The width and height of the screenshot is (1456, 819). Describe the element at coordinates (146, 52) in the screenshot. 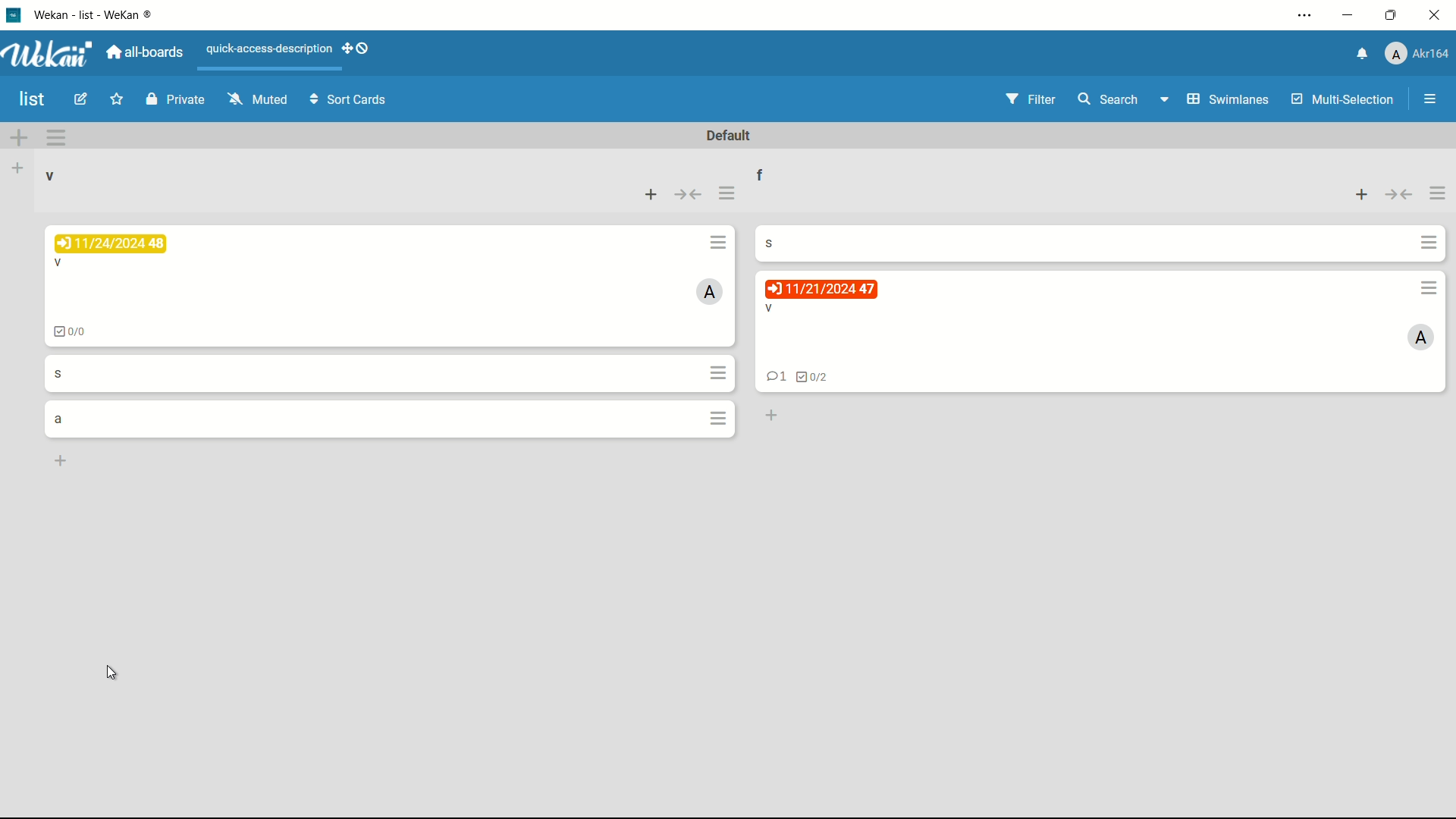

I see `all boards` at that location.